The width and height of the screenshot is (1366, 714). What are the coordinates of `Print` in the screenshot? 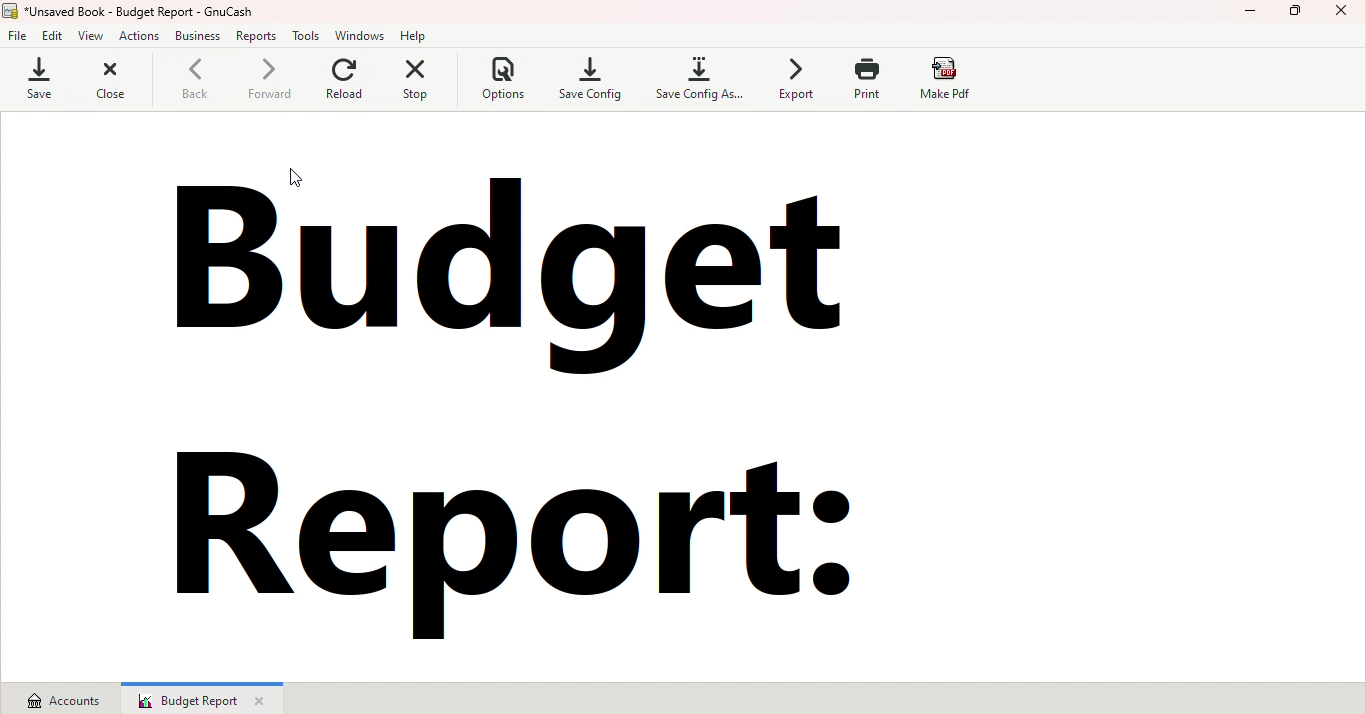 It's located at (870, 82).